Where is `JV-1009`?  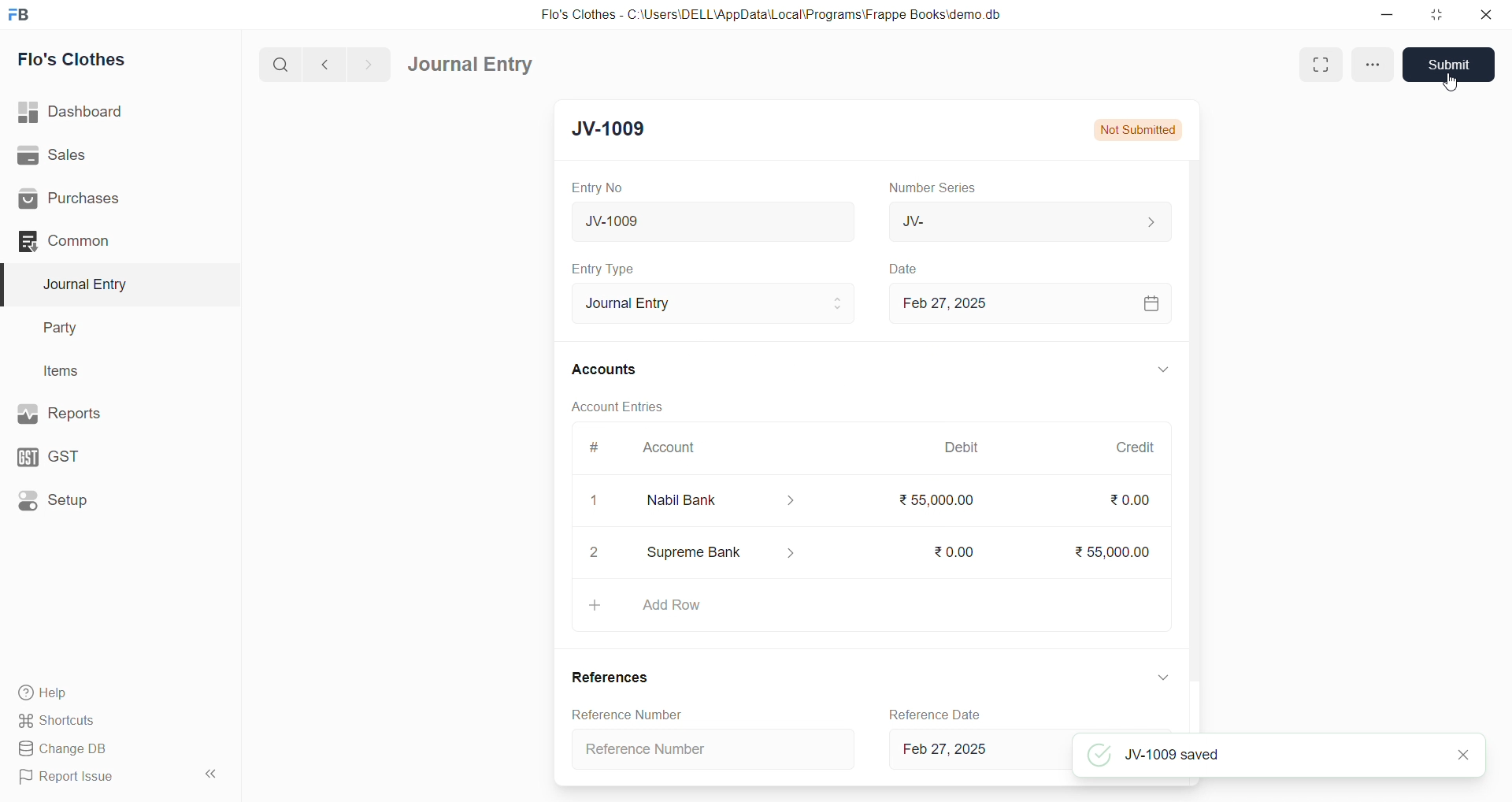 JV-1009 is located at coordinates (622, 130).